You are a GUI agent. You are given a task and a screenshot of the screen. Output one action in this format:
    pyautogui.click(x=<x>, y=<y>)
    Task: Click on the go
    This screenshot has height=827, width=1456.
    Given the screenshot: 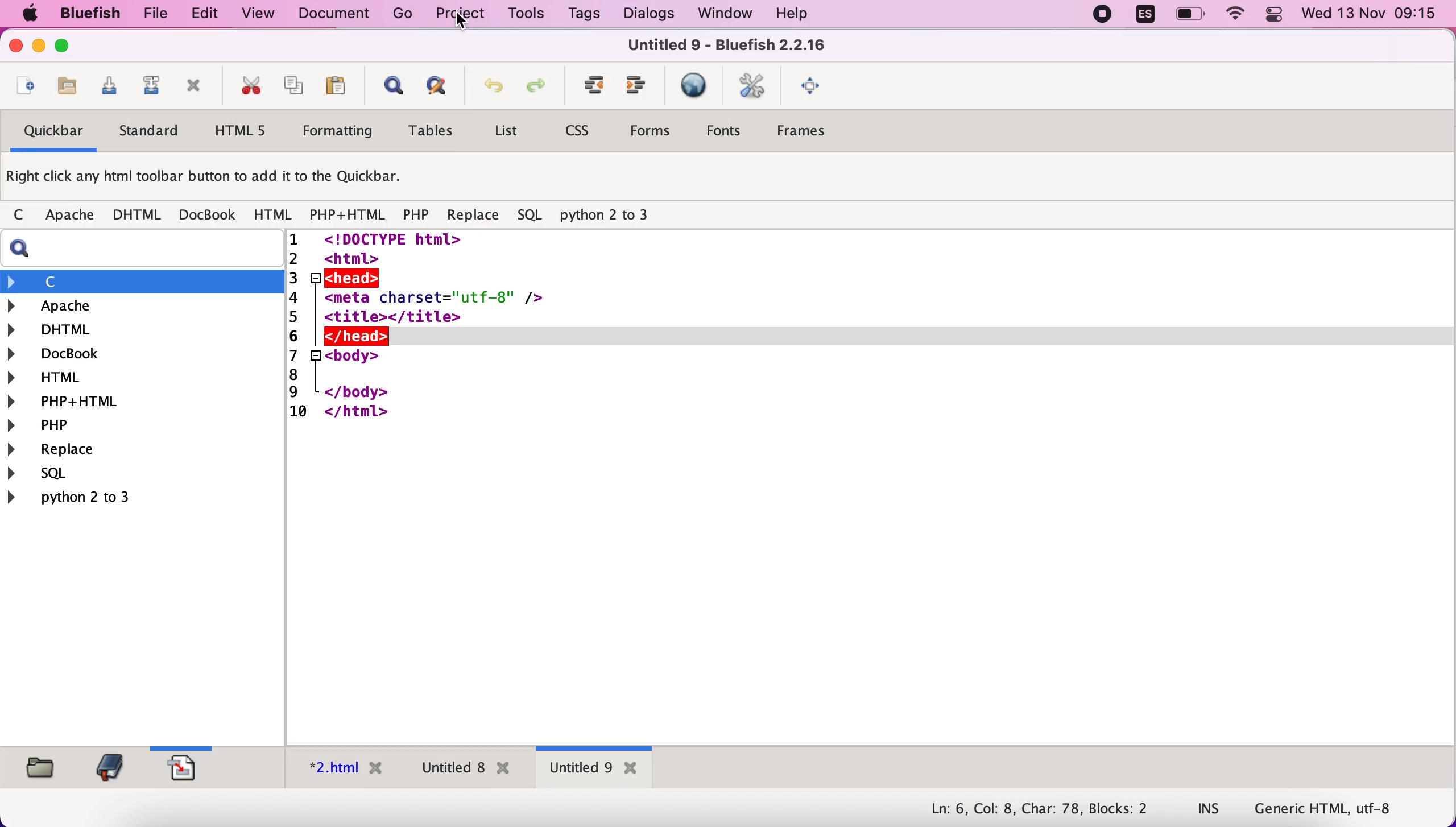 What is the action you would take?
    pyautogui.click(x=403, y=14)
    